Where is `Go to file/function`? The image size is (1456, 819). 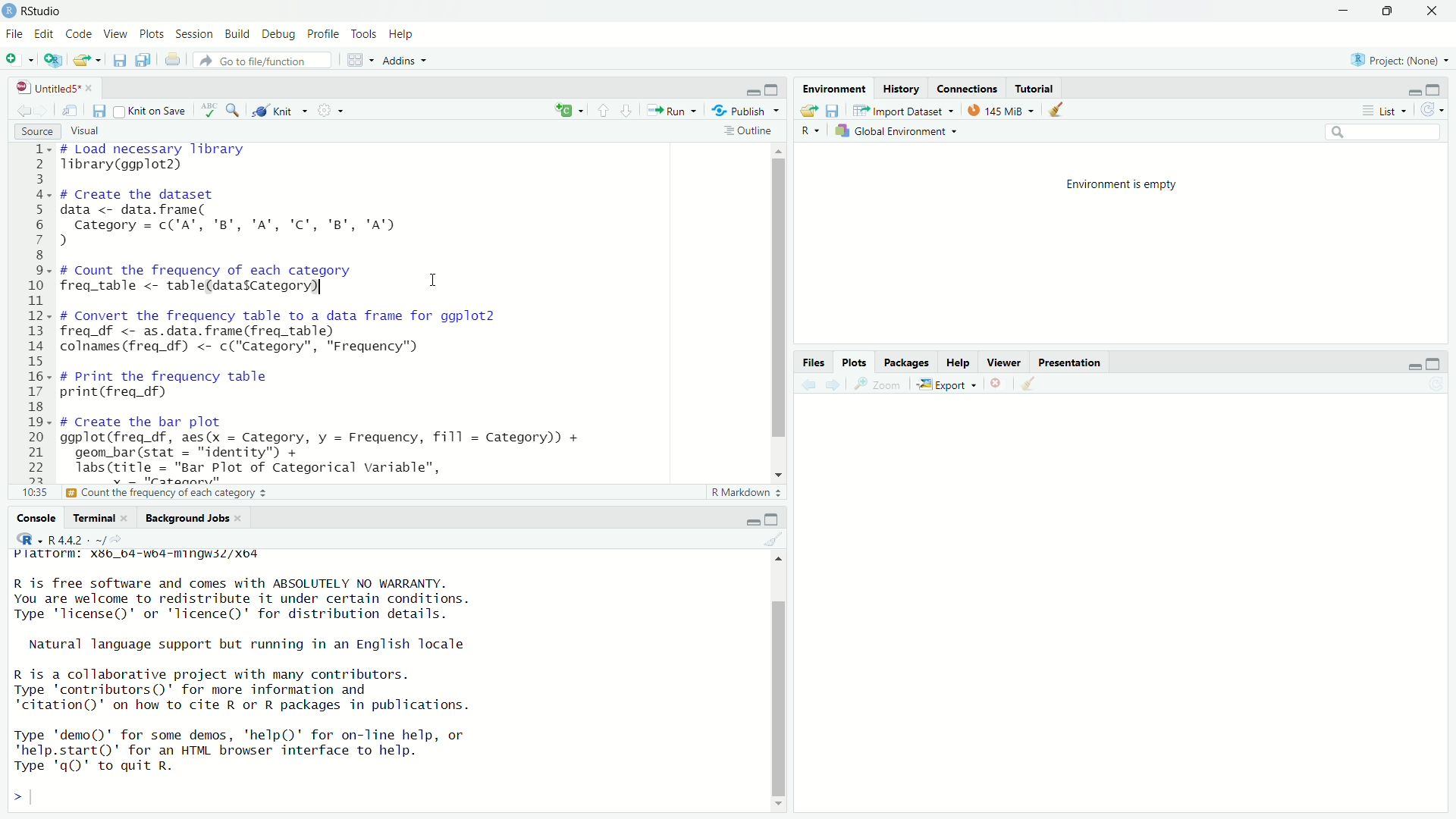
Go to file/function is located at coordinates (266, 60).